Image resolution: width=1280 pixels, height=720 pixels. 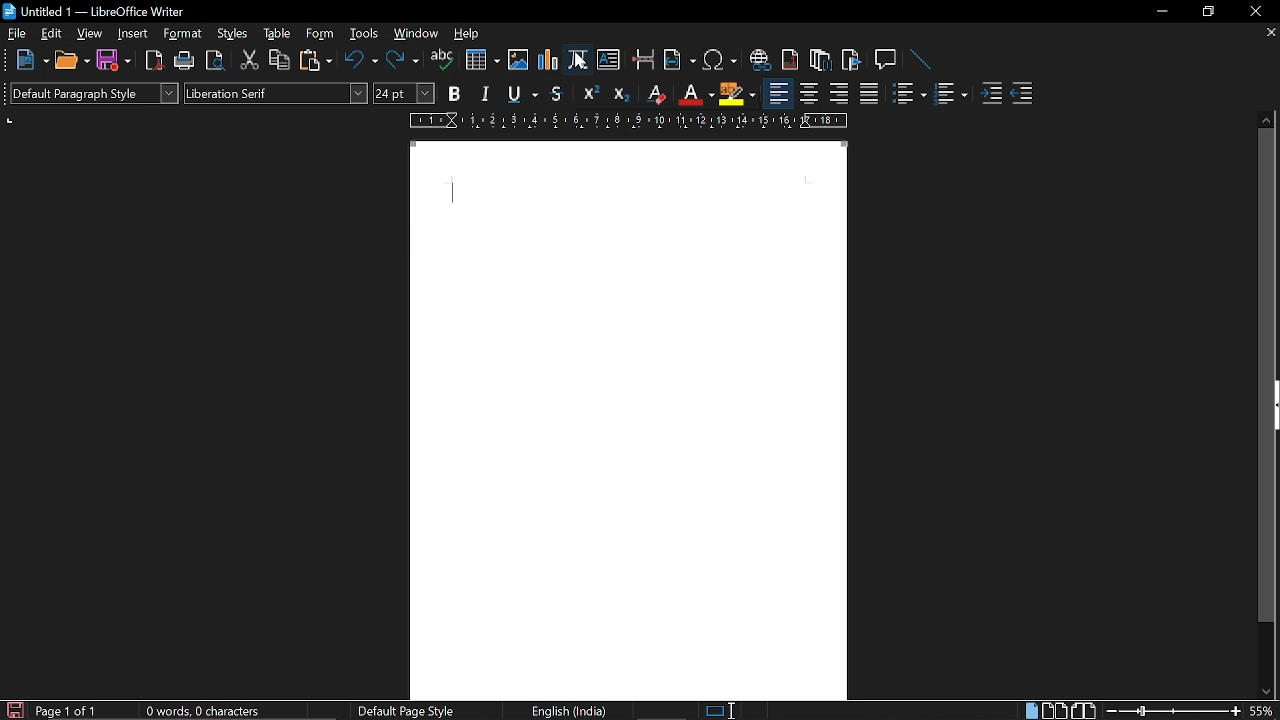 What do you see at coordinates (579, 59) in the screenshot?
I see `insert formula` at bounding box center [579, 59].